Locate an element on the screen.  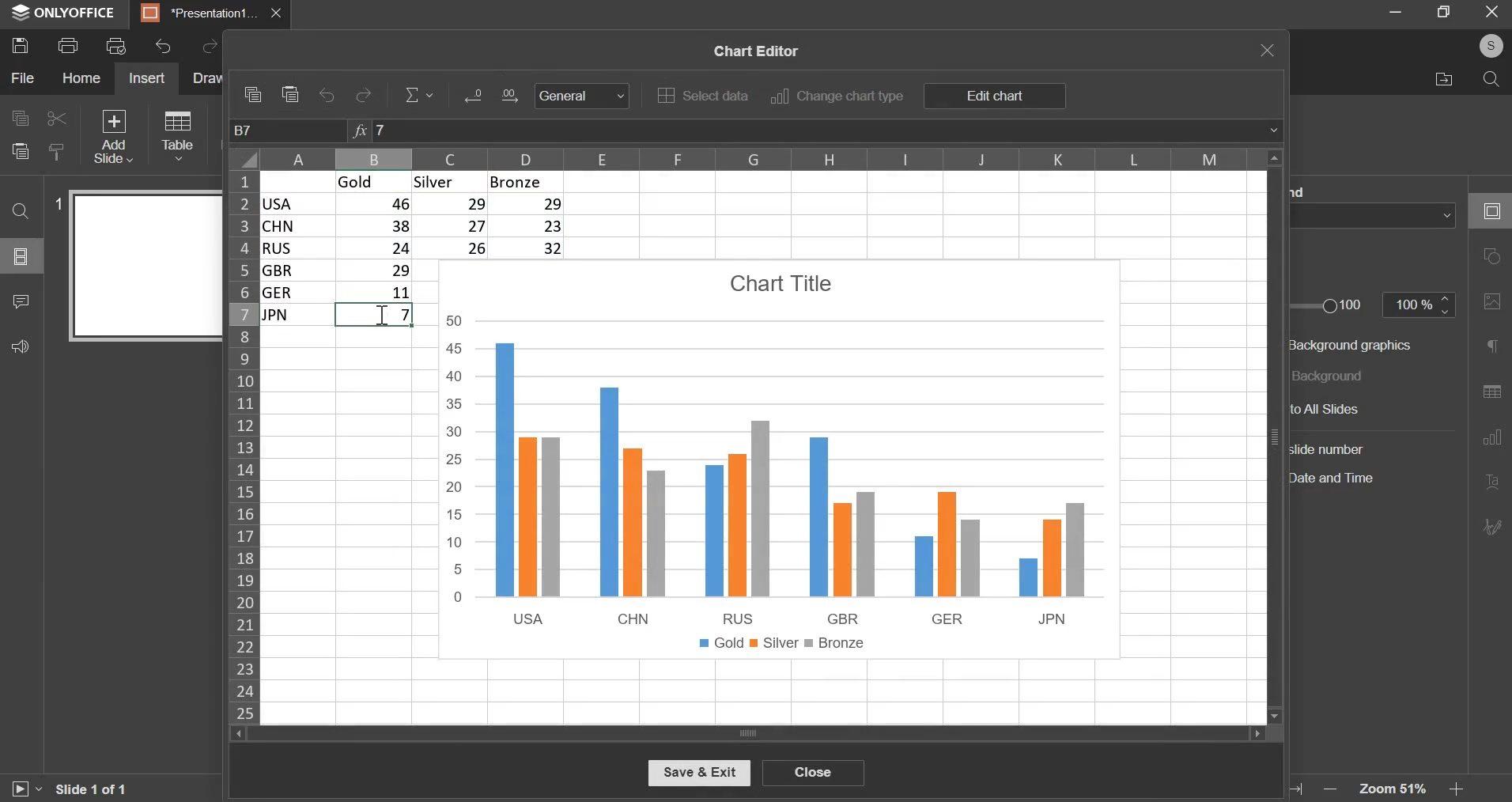
mouse pointer is located at coordinates (381, 313).